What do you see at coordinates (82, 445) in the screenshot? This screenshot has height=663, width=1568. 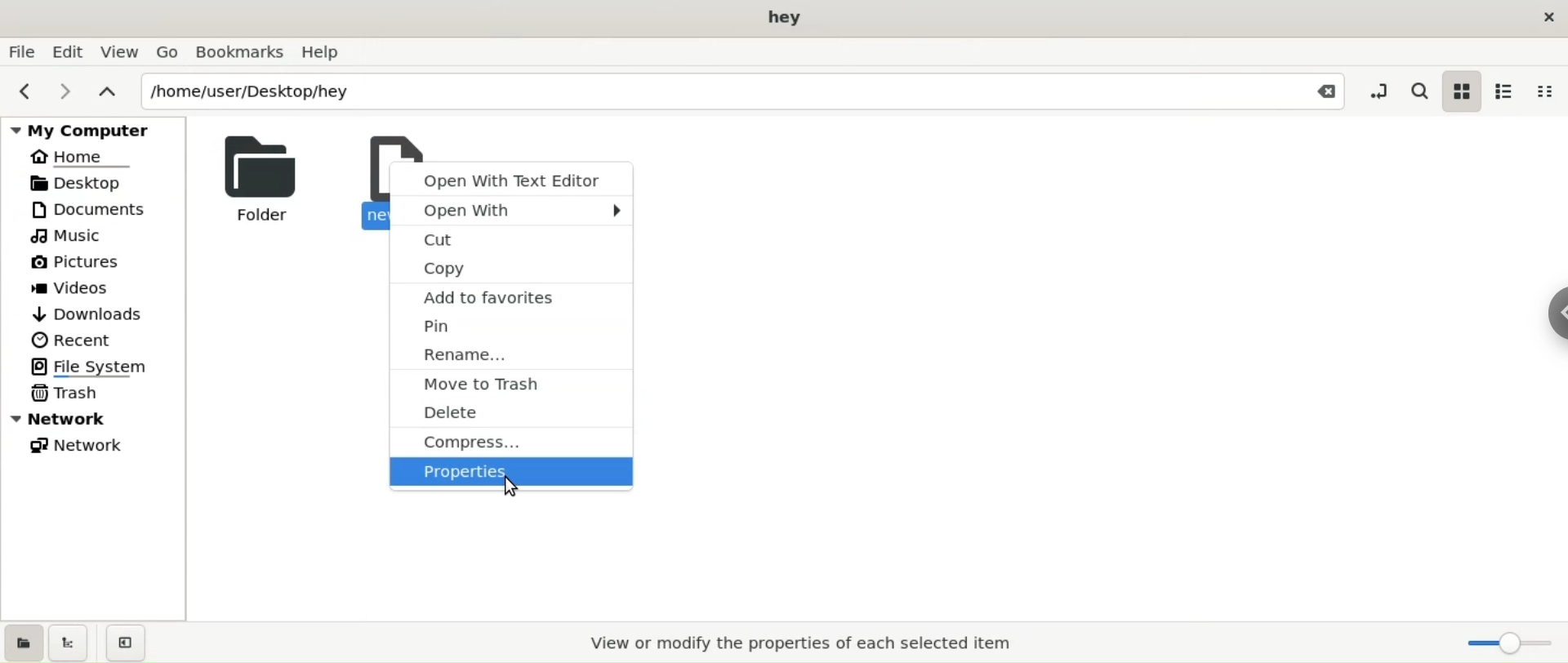 I see `Network` at bounding box center [82, 445].